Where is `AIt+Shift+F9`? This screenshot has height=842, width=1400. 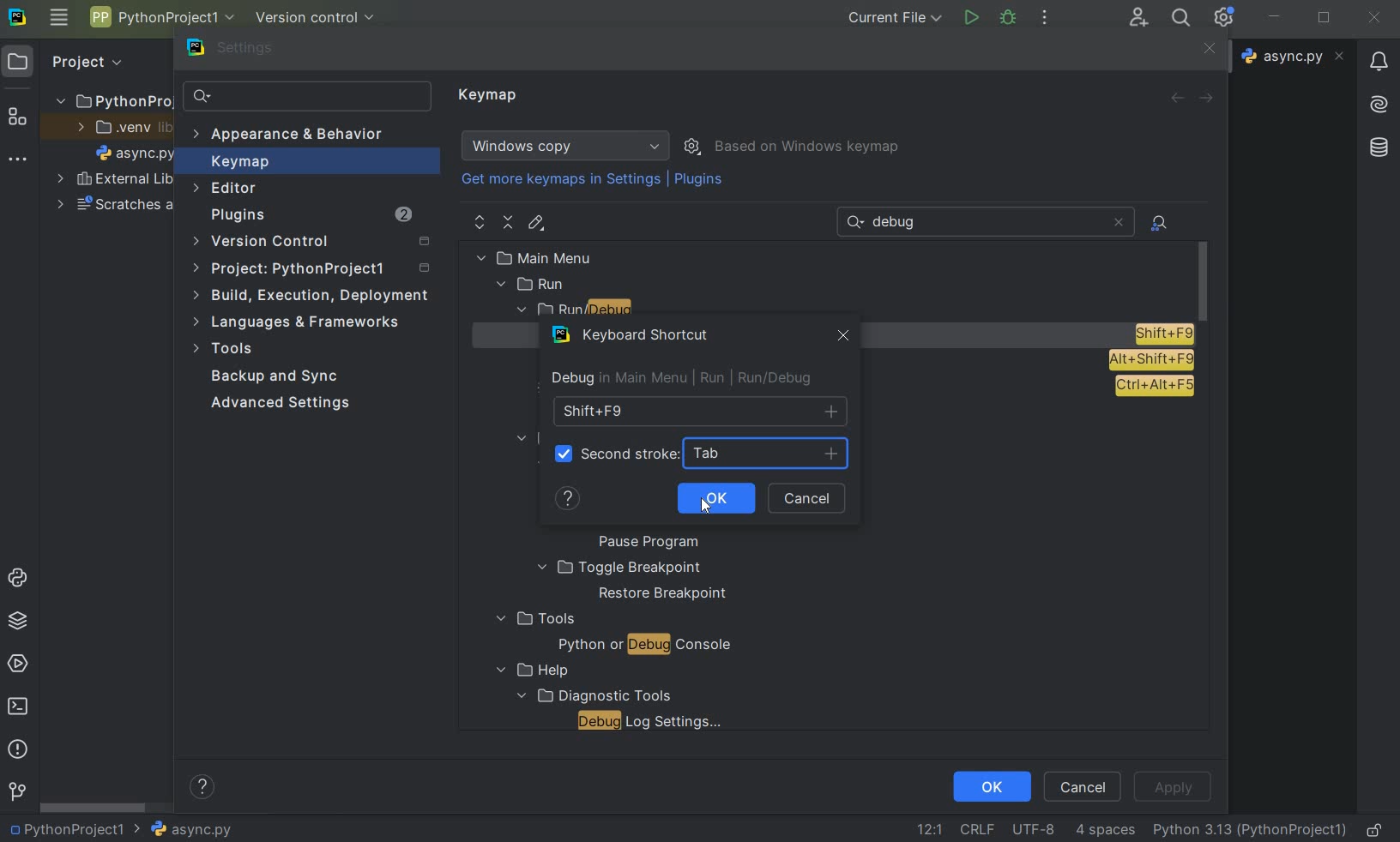
AIt+Shift+F9 is located at coordinates (1151, 360).